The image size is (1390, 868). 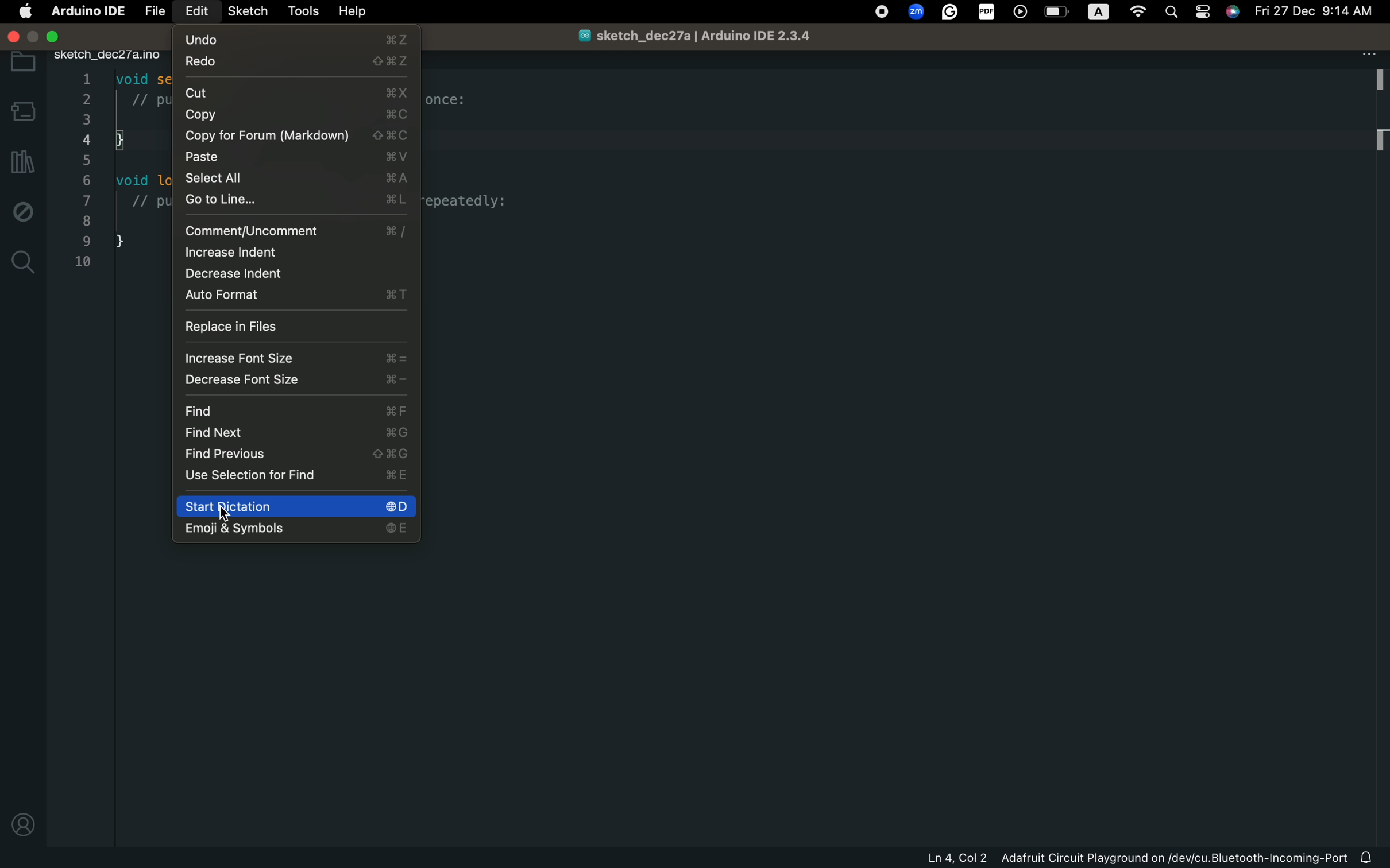 What do you see at coordinates (33, 36) in the screenshot?
I see `windows control` at bounding box center [33, 36].